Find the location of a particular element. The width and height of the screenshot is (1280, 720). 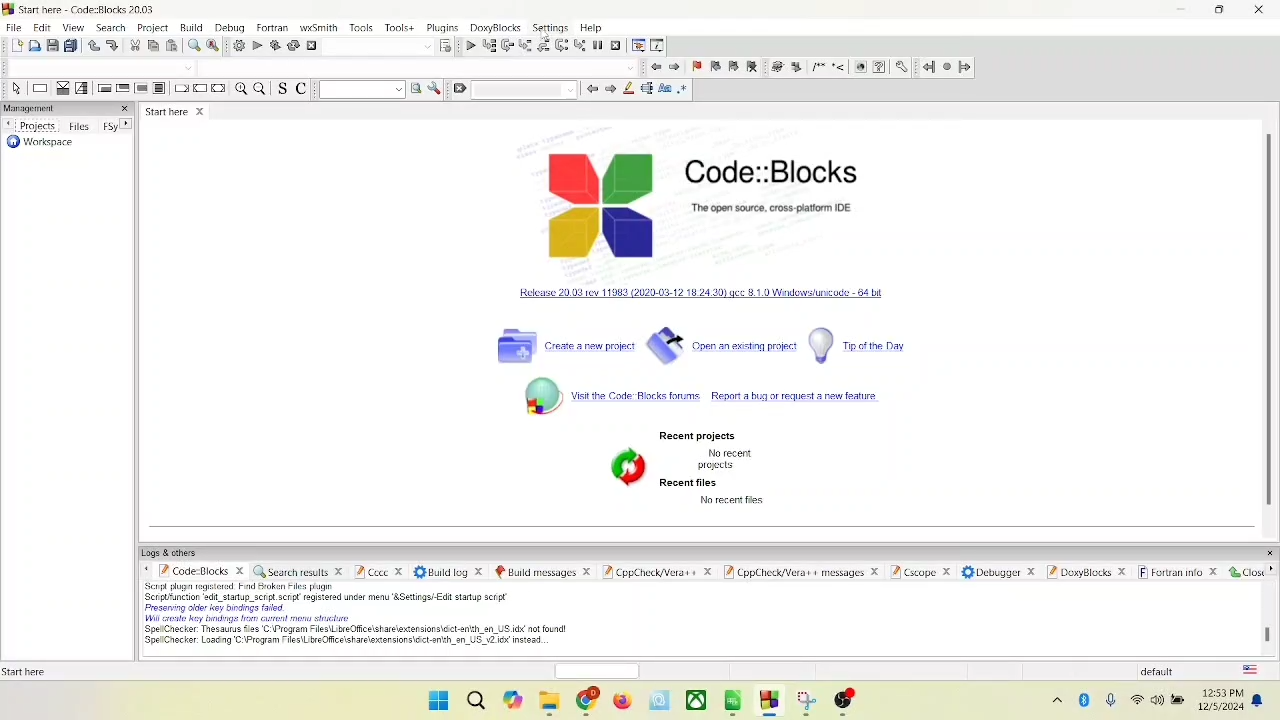

step out is located at coordinates (540, 46).